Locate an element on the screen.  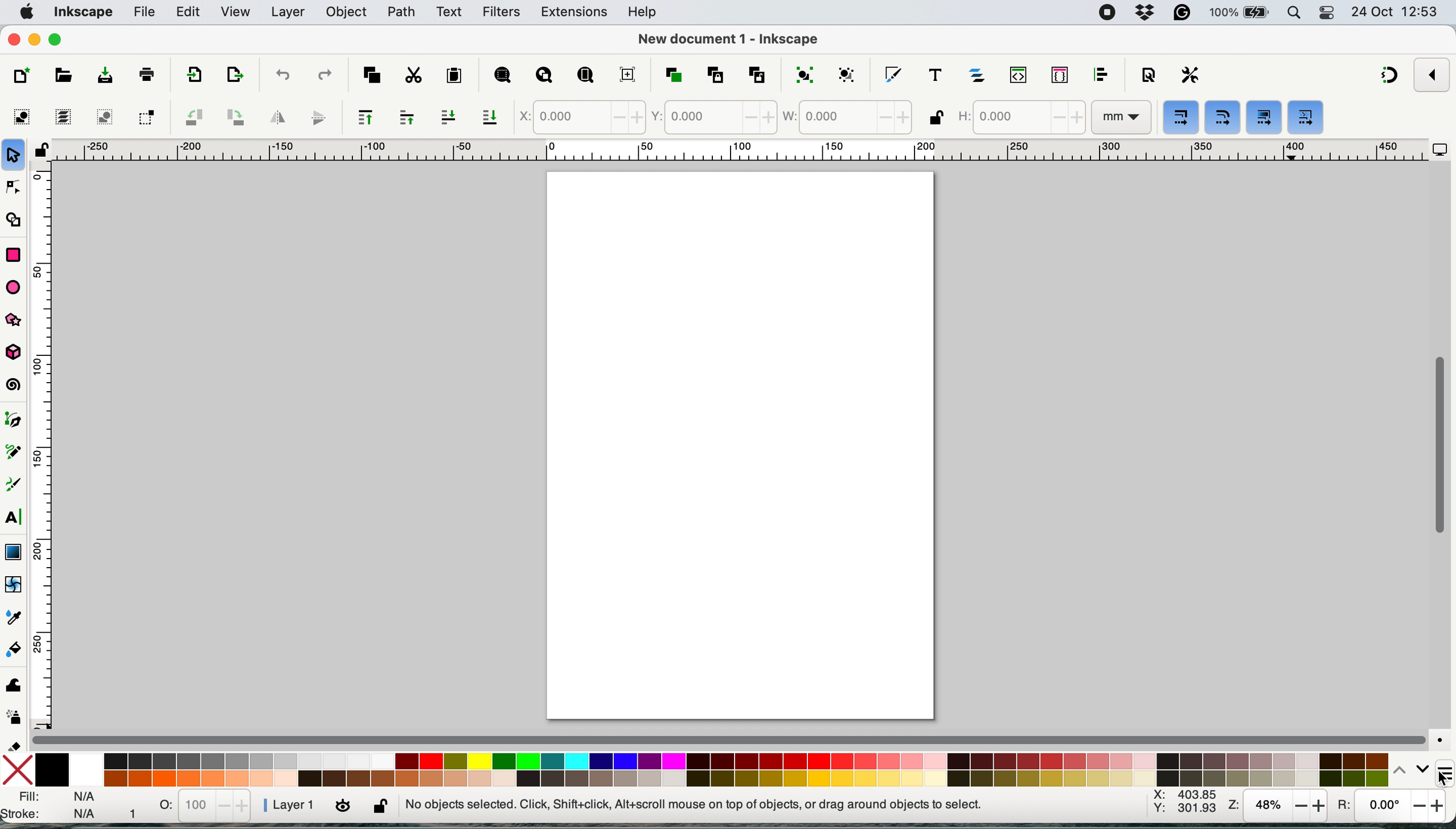
lock or unlock current layer is located at coordinates (379, 807).